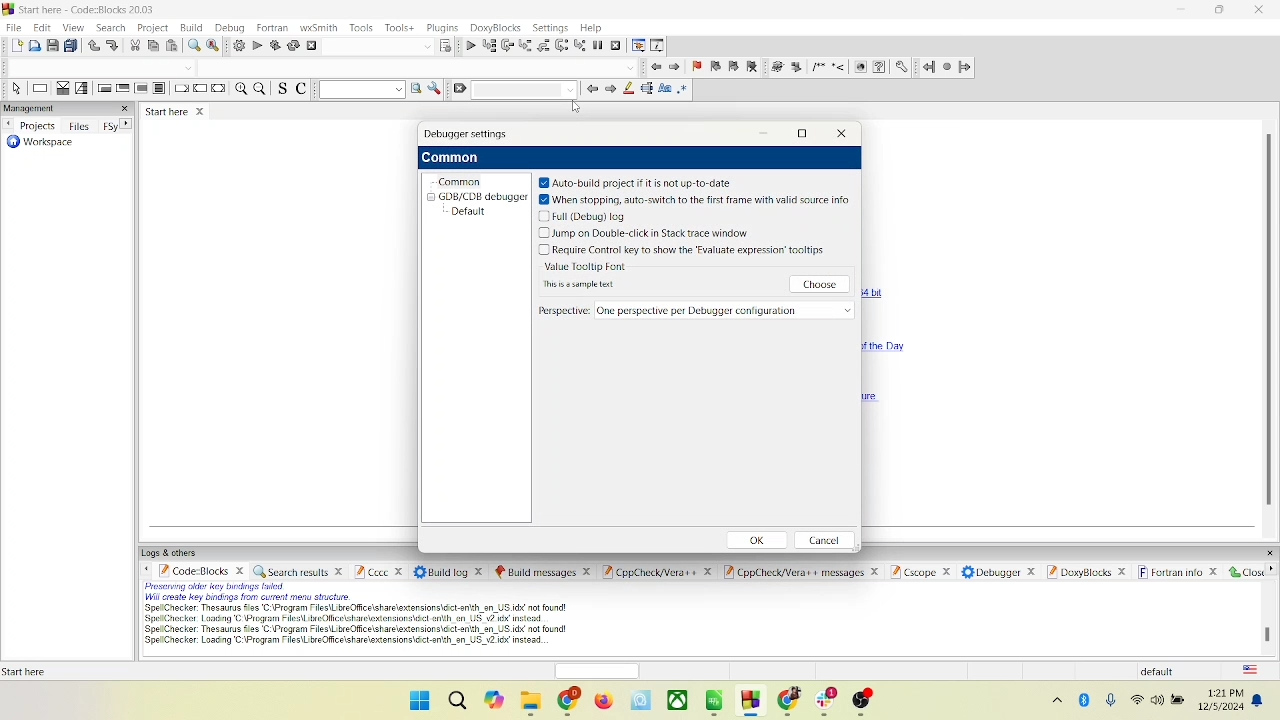  What do you see at coordinates (81, 88) in the screenshot?
I see `selection` at bounding box center [81, 88].